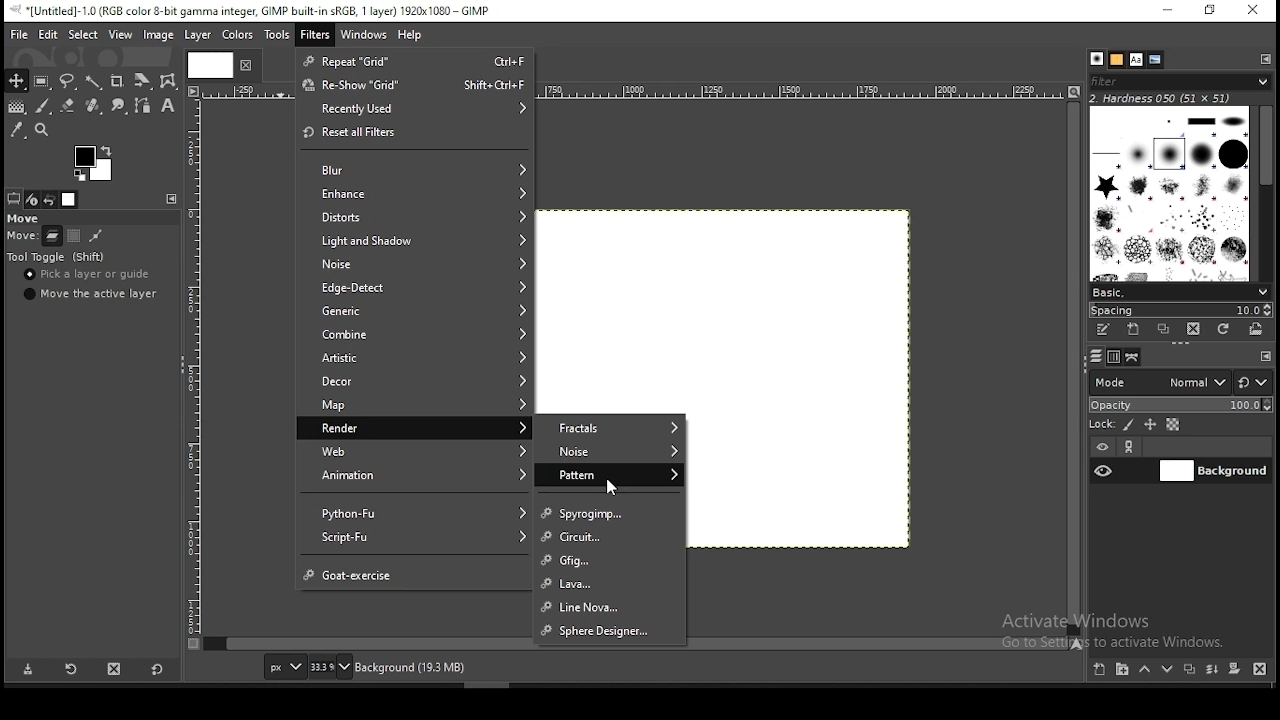 This screenshot has width=1280, height=720. Describe the element at coordinates (68, 81) in the screenshot. I see `free selection tool` at that location.